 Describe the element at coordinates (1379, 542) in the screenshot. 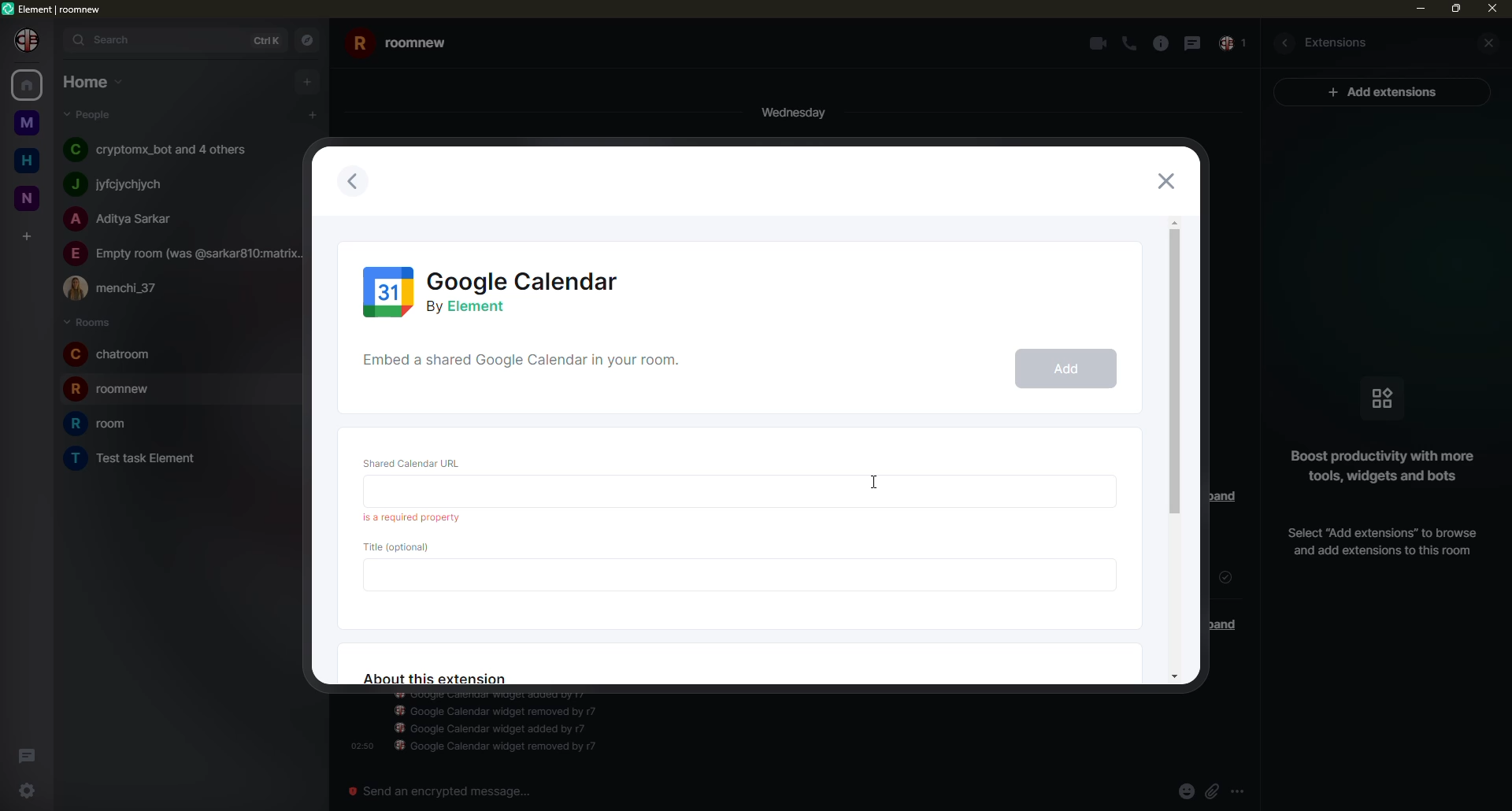

I see `add extension info` at that location.